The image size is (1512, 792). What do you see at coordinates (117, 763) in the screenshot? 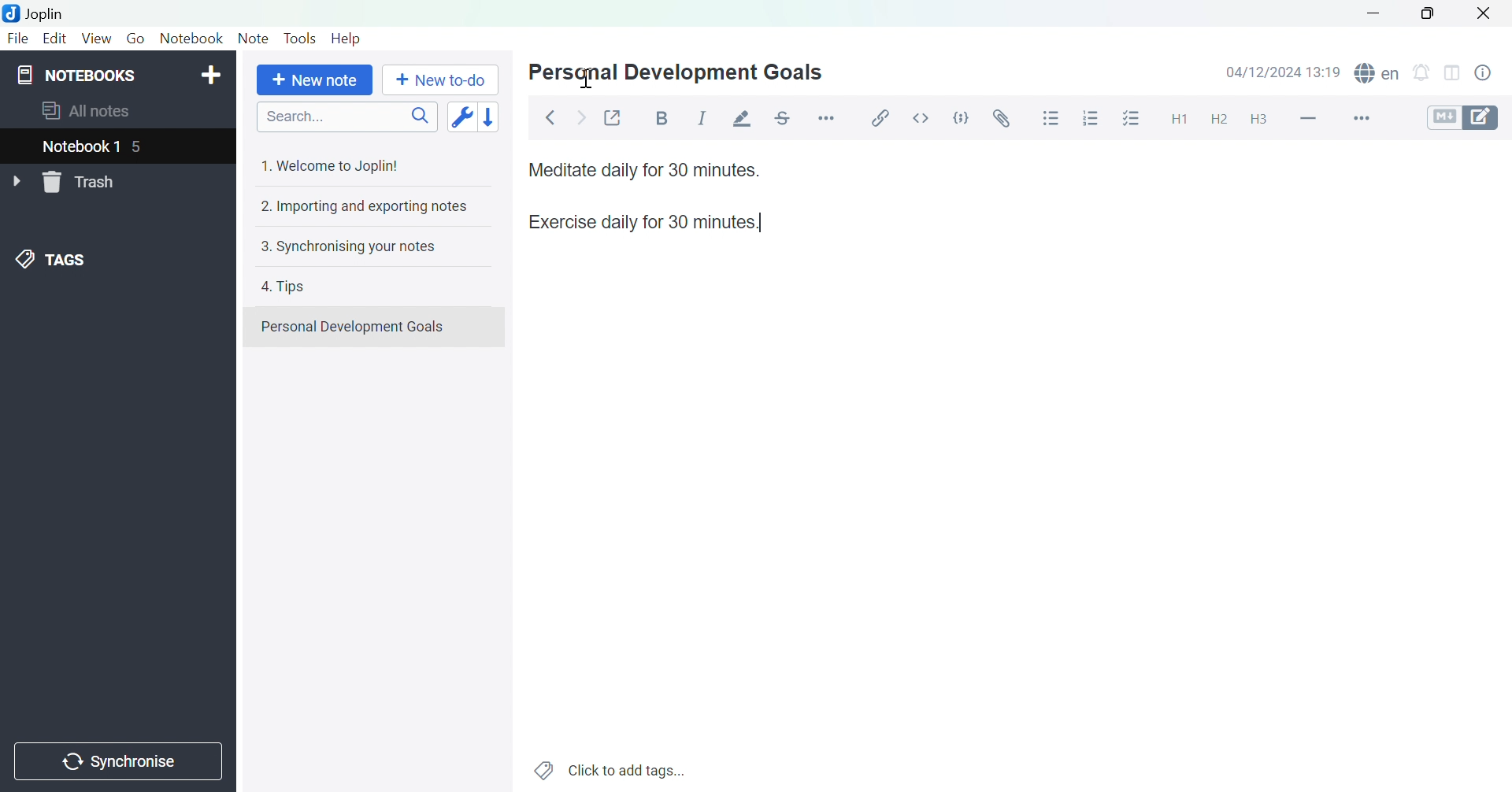
I see `Synchronise` at bounding box center [117, 763].